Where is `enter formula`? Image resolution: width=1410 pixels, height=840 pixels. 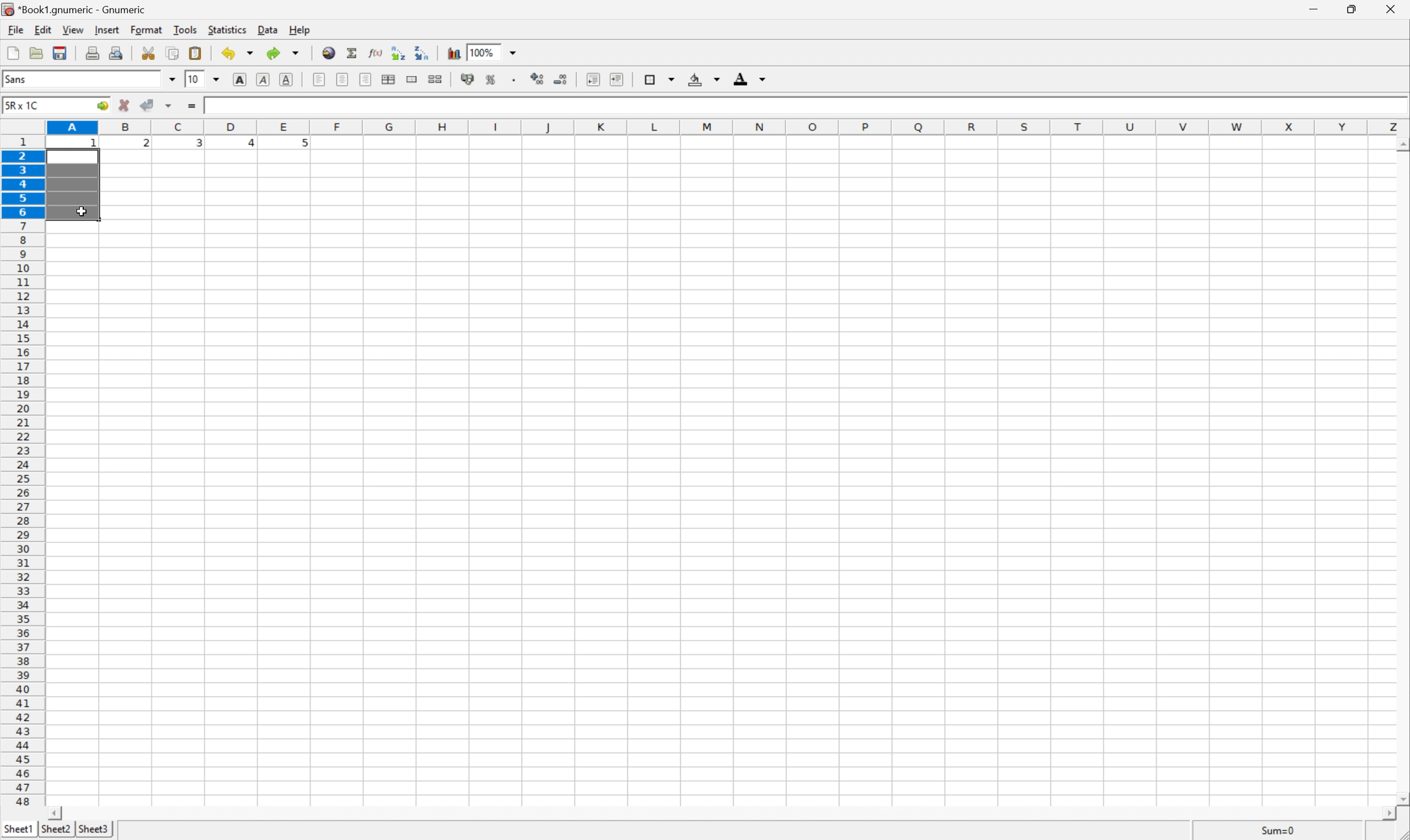
enter formula is located at coordinates (191, 106).